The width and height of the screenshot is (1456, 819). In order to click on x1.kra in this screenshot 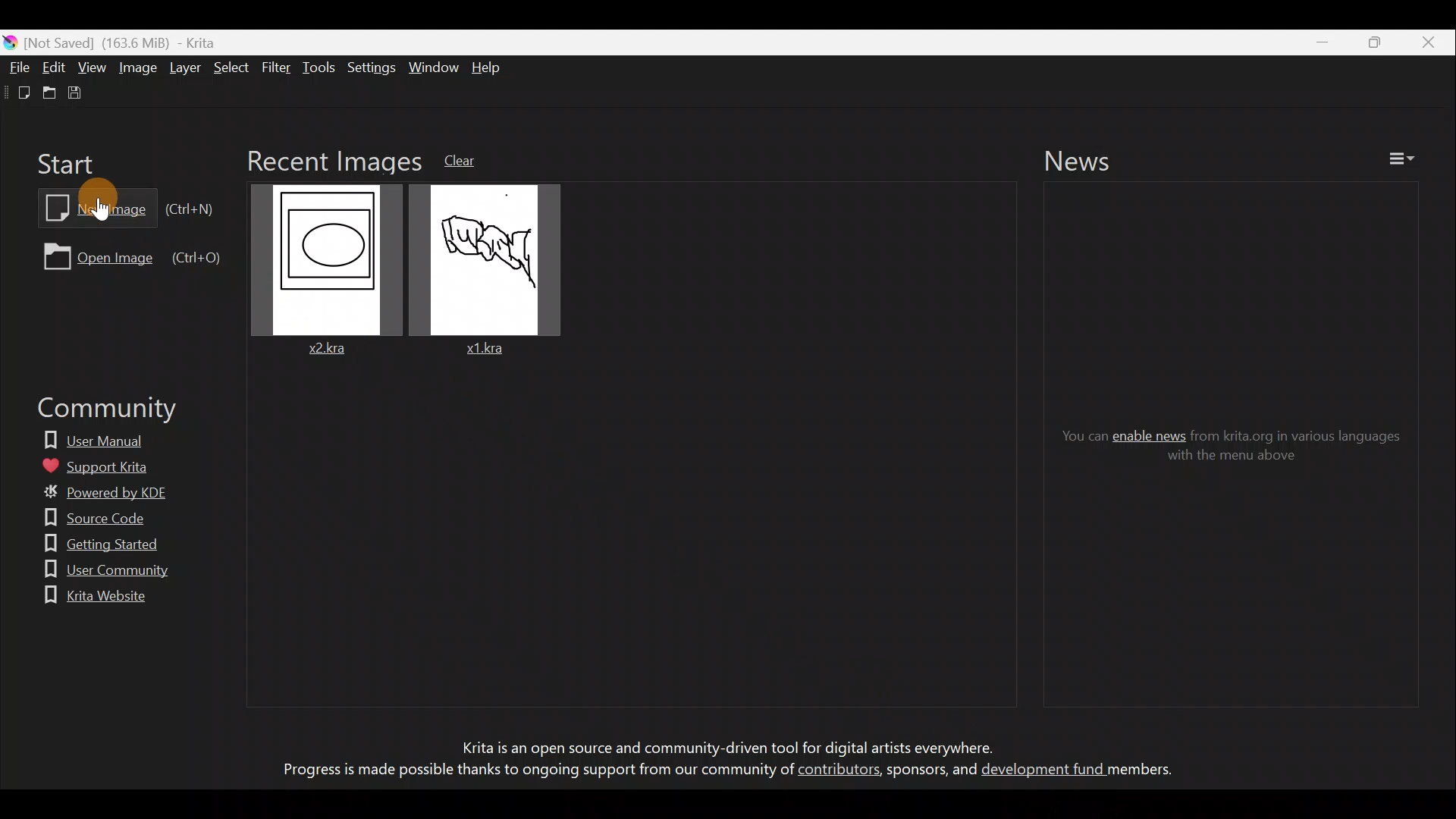, I will do `click(479, 270)`.